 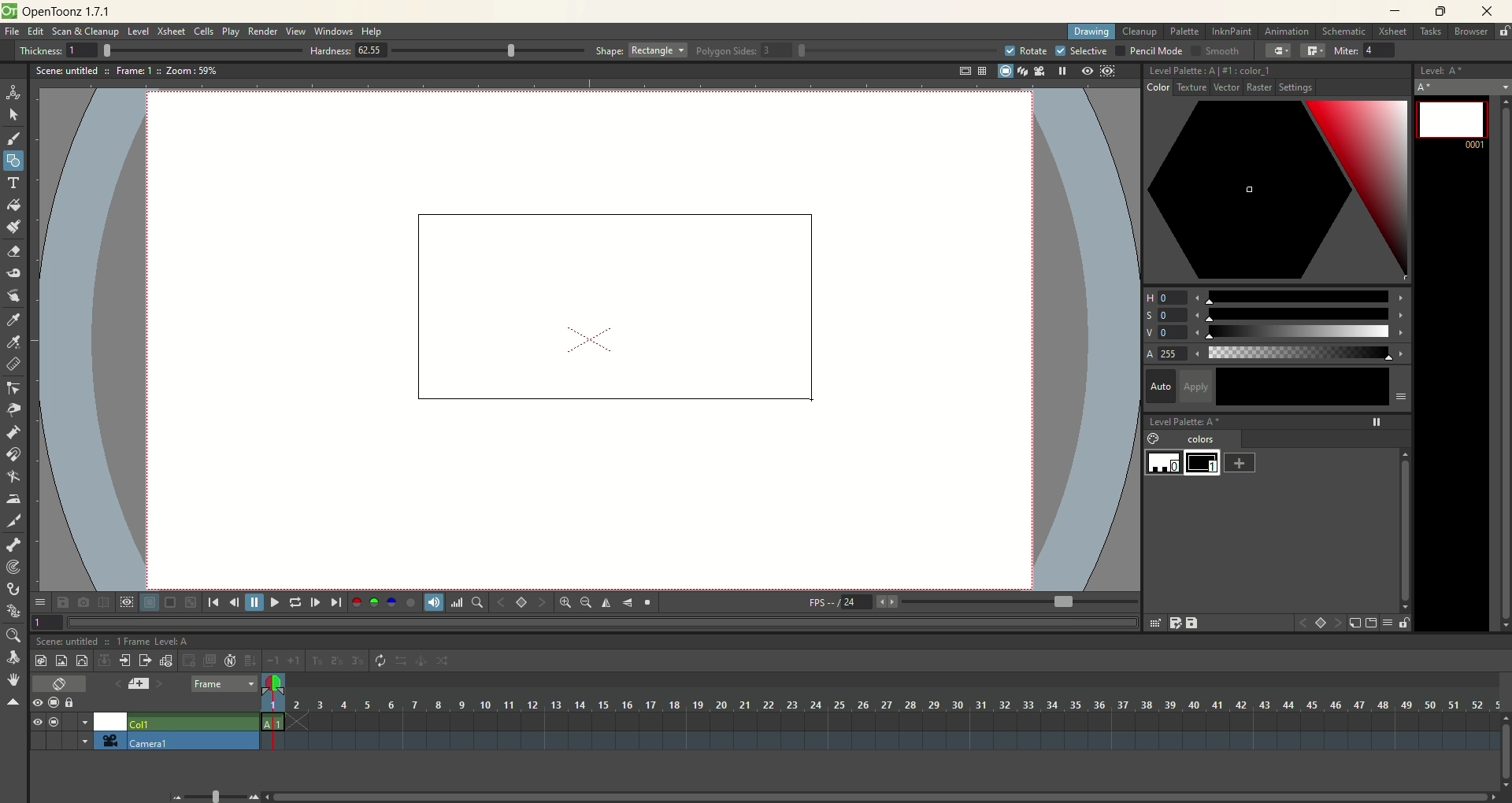 What do you see at coordinates (380, 661) in the screenshot?
I see `repeat` at bounding box center [380, 661].